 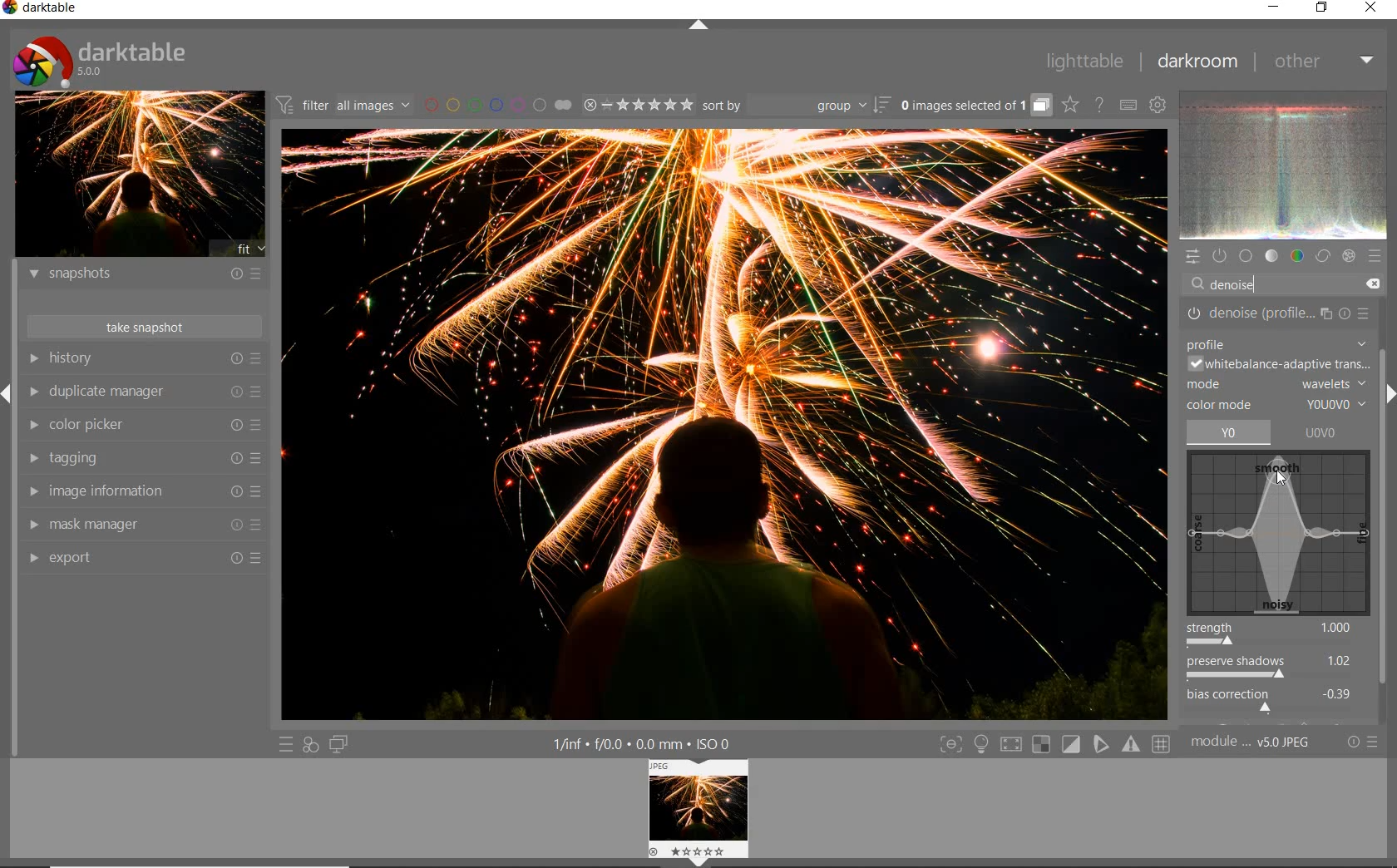 I want to click on mask manager, so click(x=142, y=525).